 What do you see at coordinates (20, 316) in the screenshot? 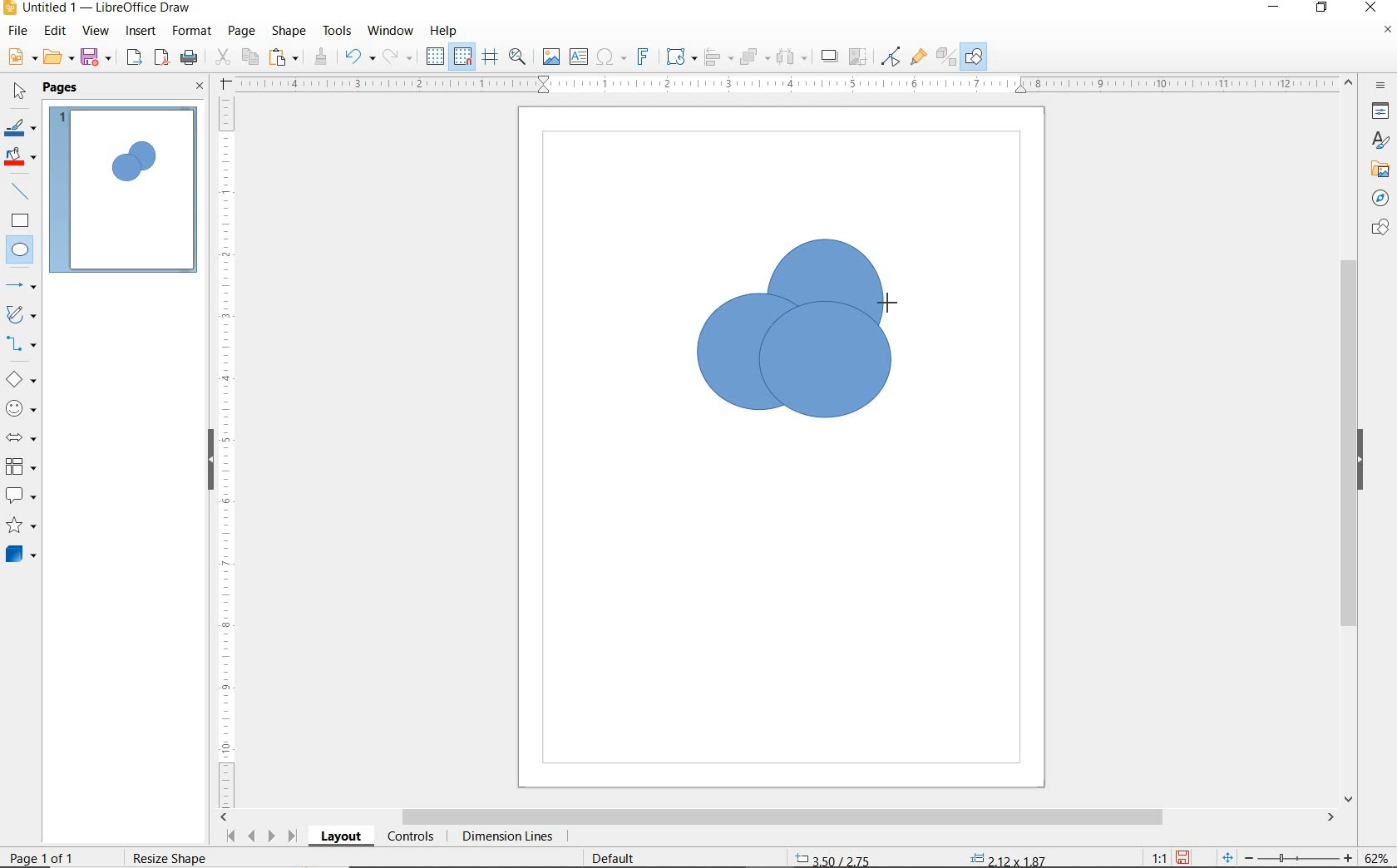
I see `CURVES AND POLYGONS` at bounding box center [20, 316].